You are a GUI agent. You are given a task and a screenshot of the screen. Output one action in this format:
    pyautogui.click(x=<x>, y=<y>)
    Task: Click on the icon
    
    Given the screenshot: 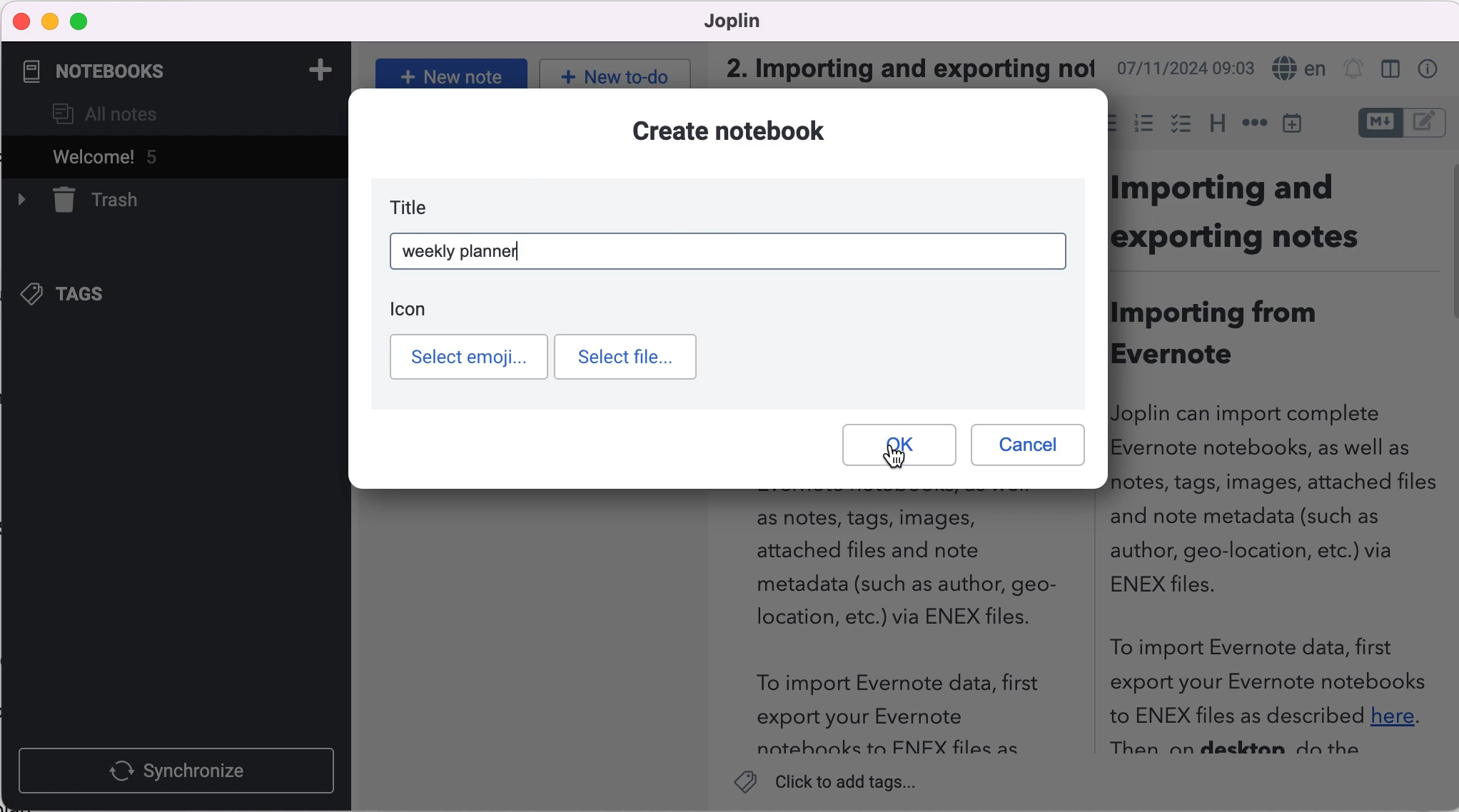 What is the action you would take?
    pyautogui.click(x=416, y=310)
    